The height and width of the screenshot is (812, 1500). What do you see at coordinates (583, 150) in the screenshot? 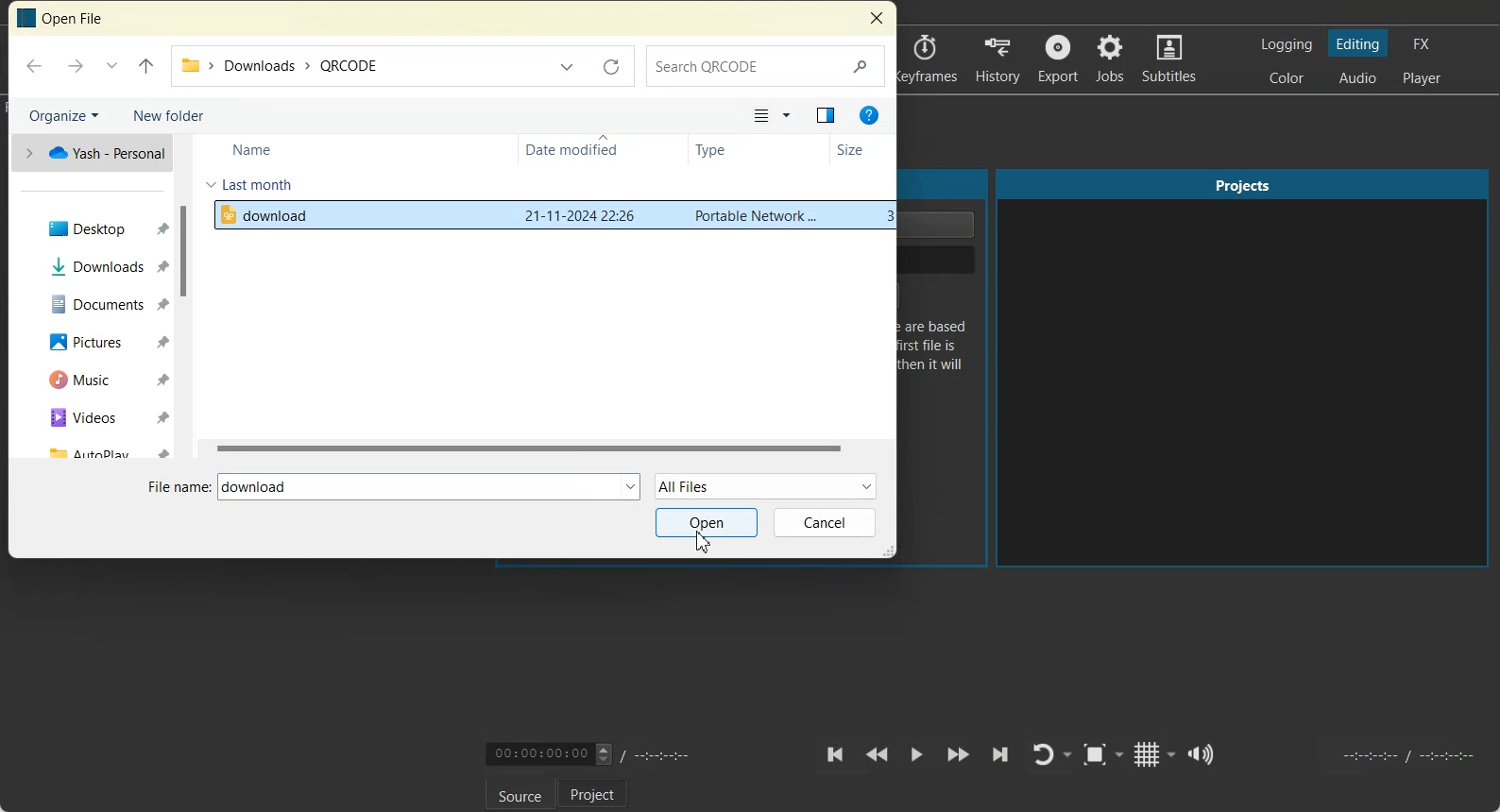
I see `Date modified` at bounding box center [583, 150].